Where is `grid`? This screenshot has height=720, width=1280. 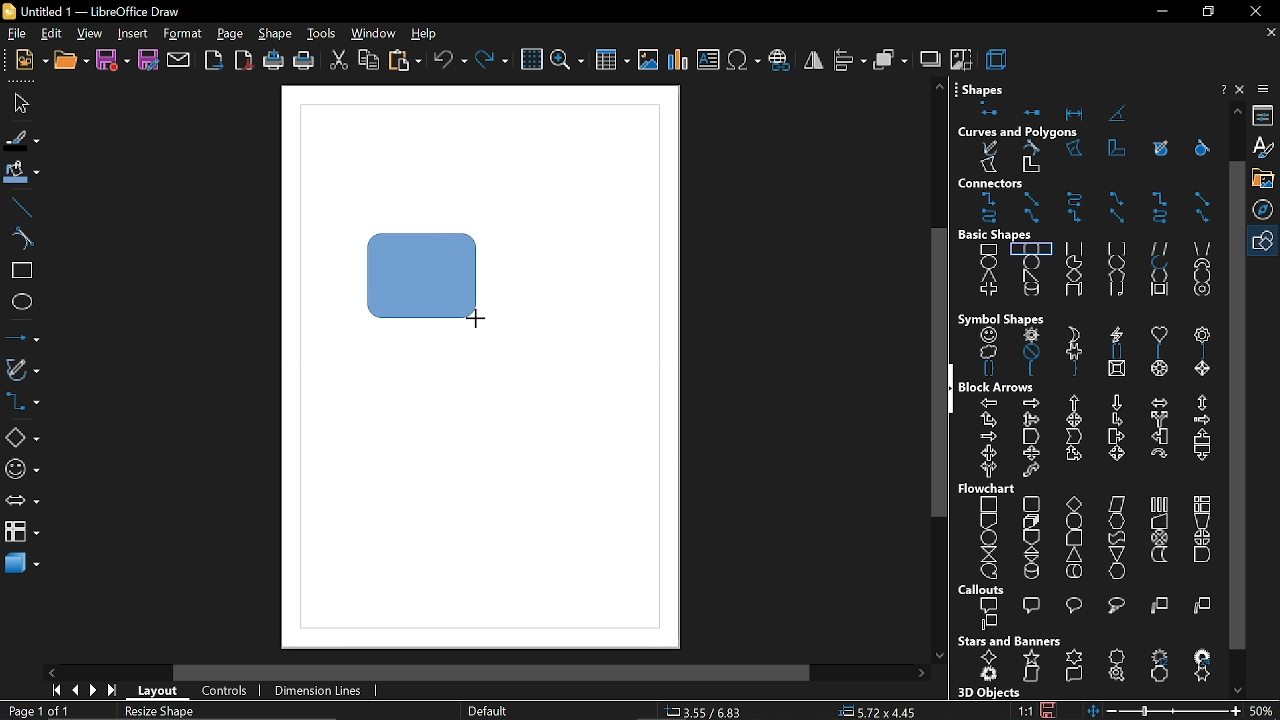 grid is located at coordinates (531, 60).